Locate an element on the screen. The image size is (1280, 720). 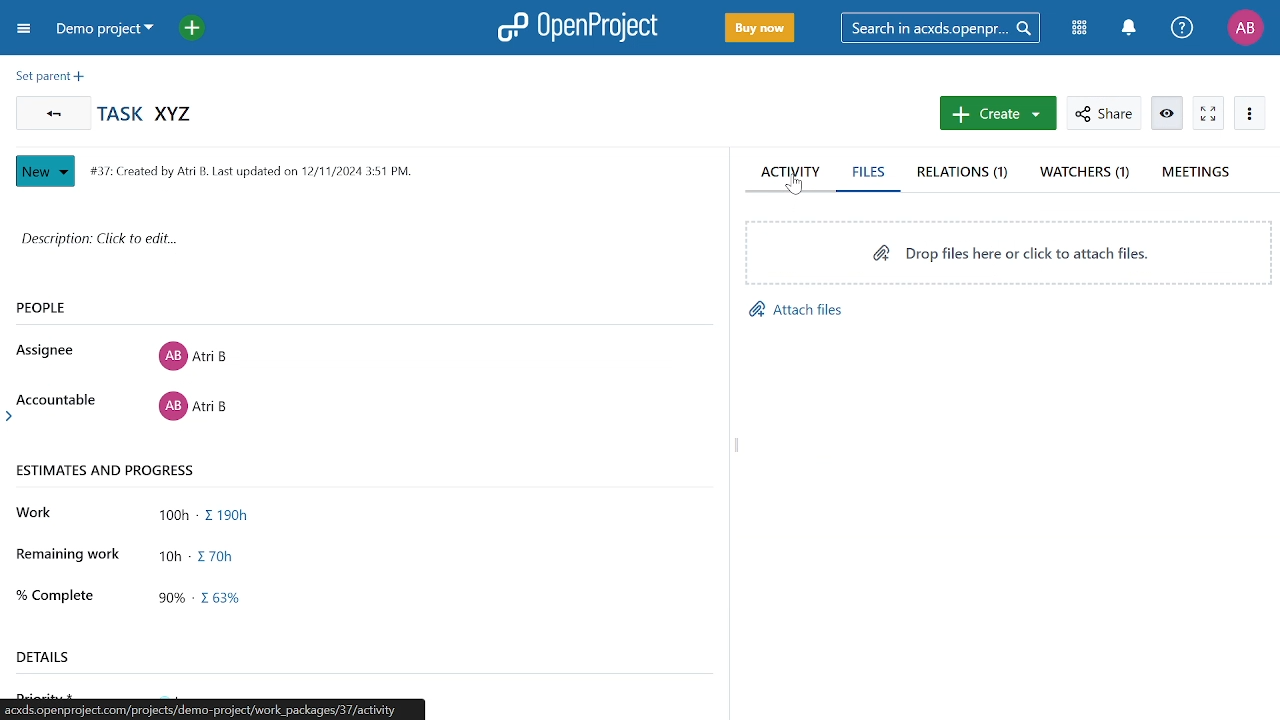
Attach files is located at coordinates (795, 312).